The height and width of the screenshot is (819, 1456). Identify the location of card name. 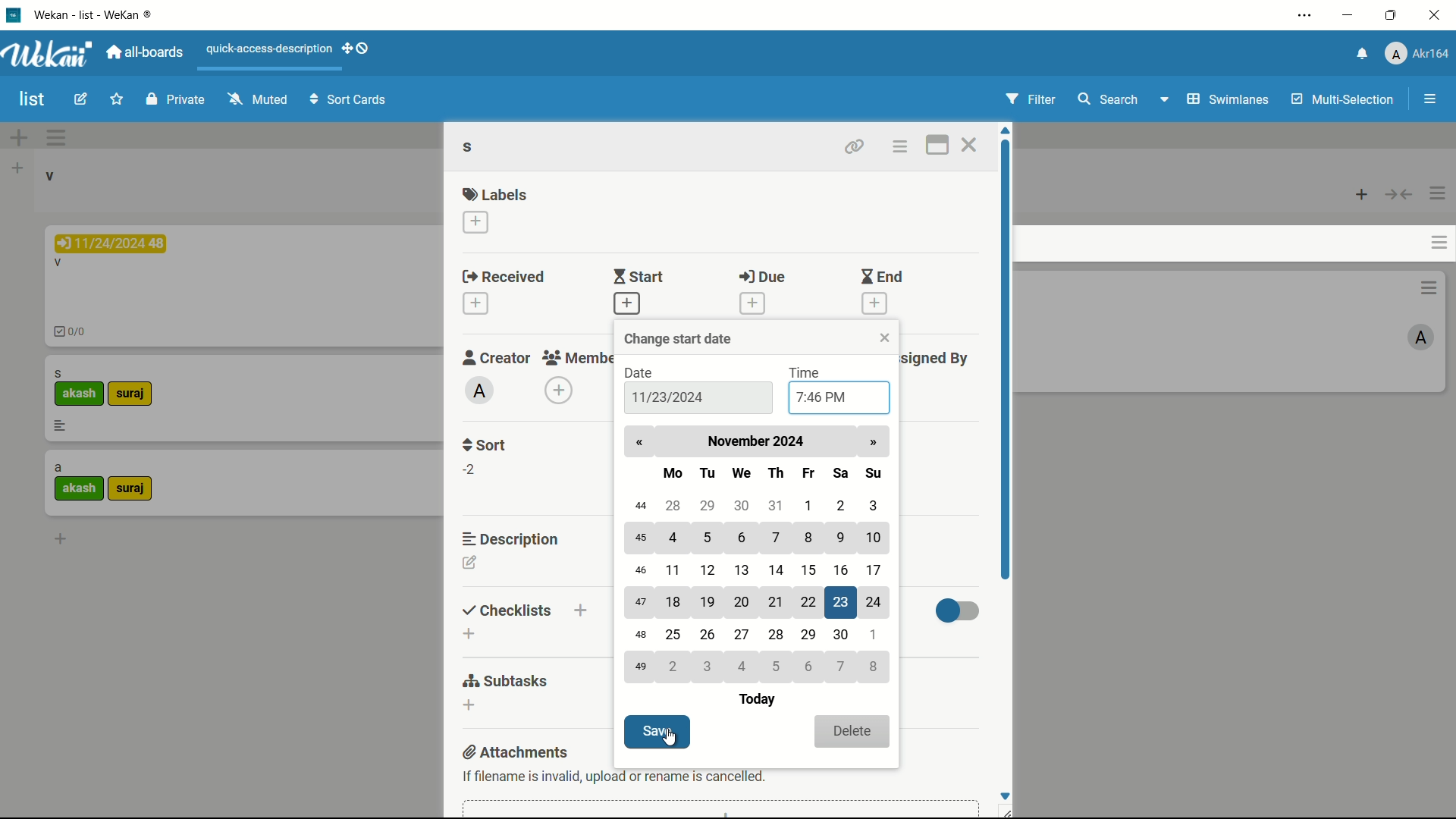
(58, 469).